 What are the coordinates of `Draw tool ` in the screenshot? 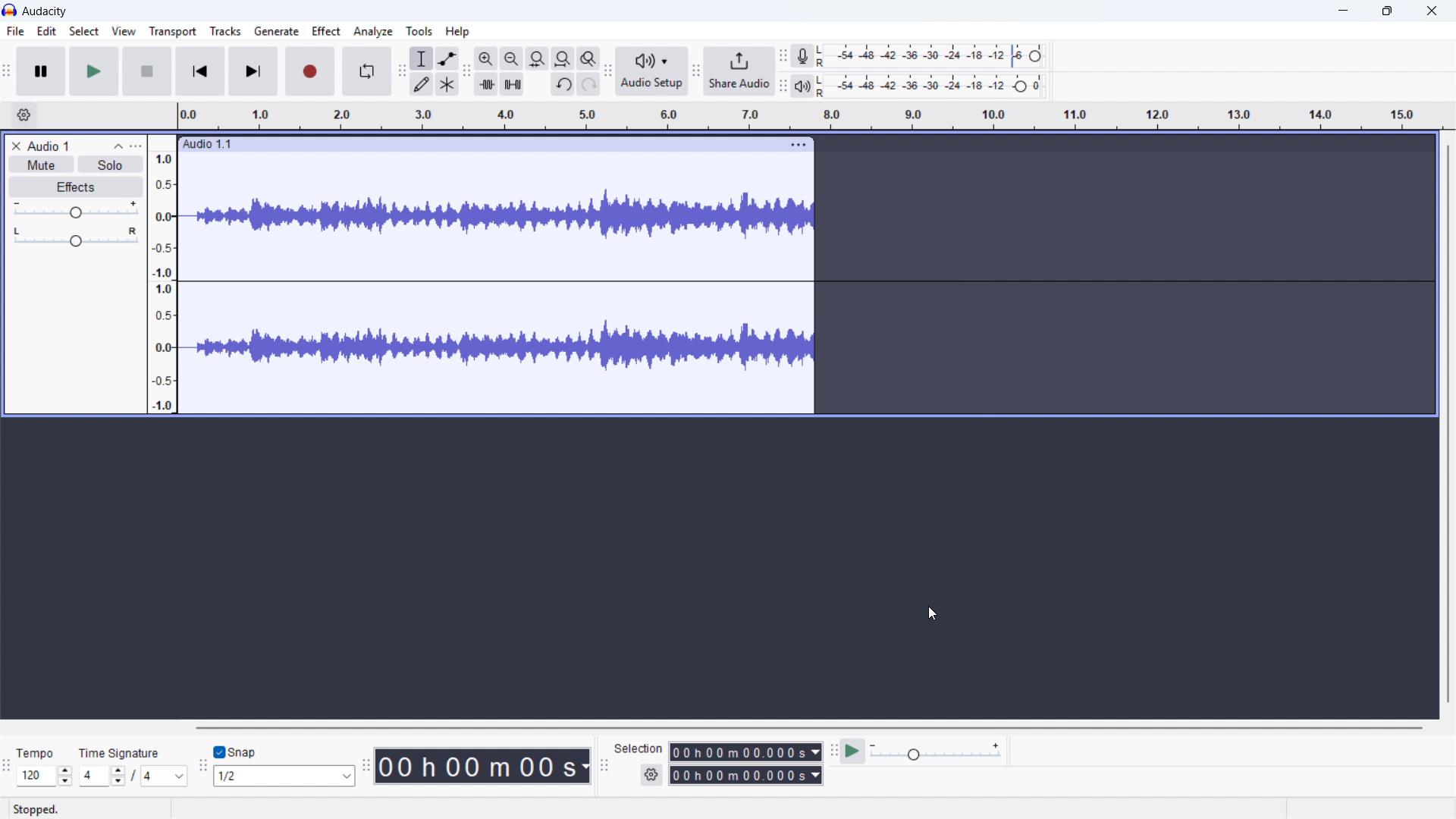 It's located at (420, 84).